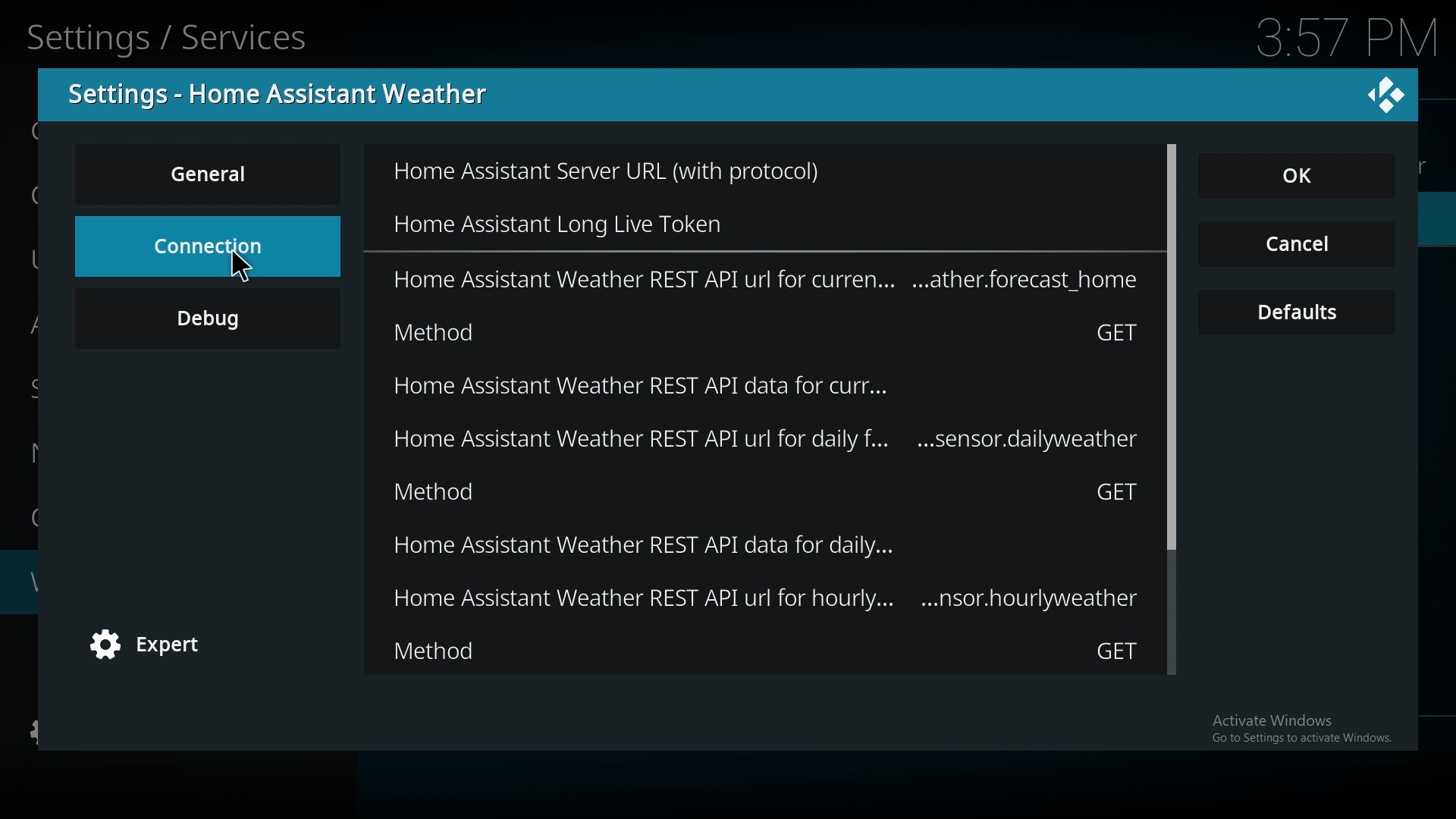 This screenshot has width=1456, height=819. I want to click on home assistant long live token, so click(612, 219).